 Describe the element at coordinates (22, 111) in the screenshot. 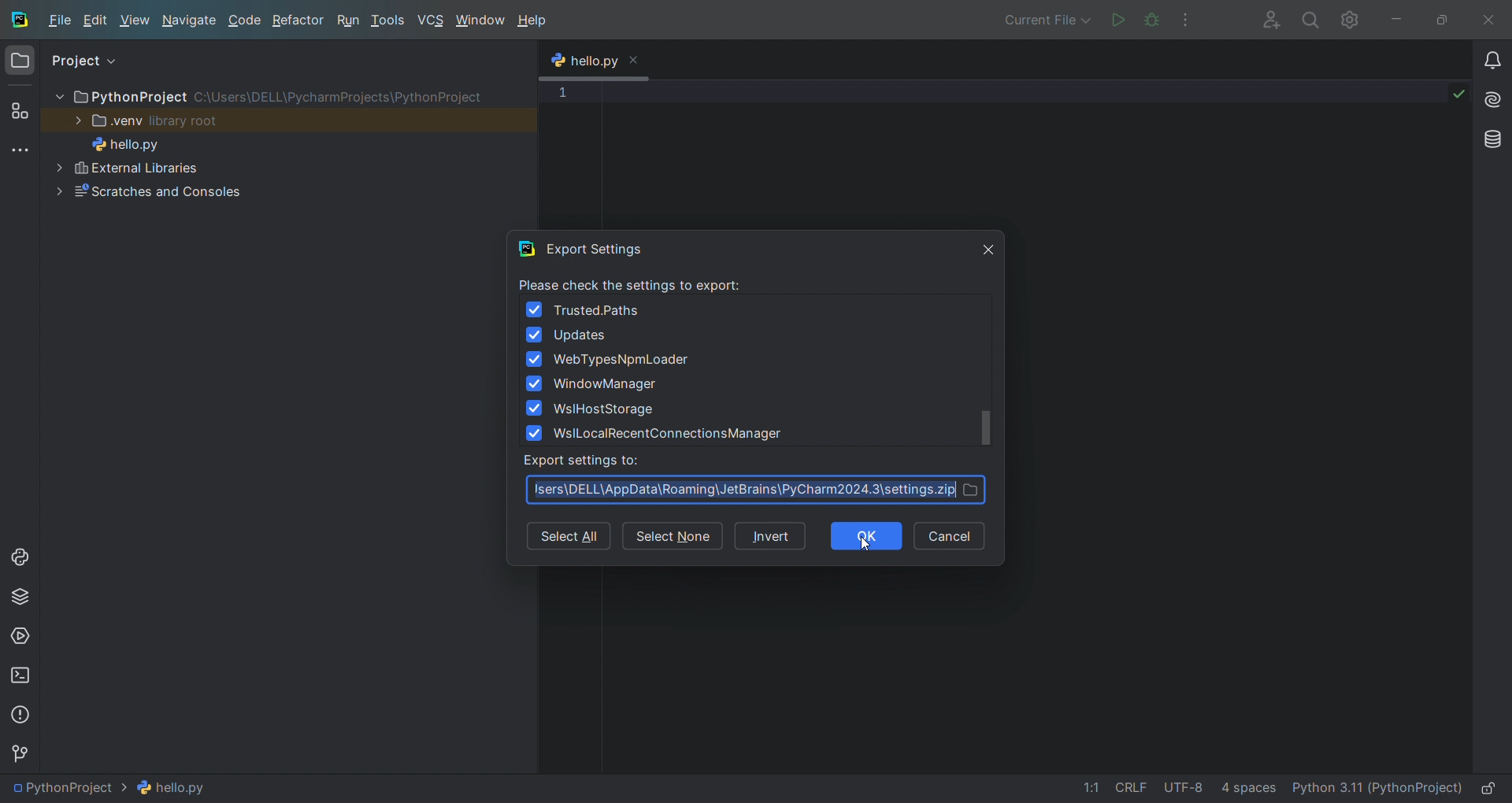

I see `structure` at that location.